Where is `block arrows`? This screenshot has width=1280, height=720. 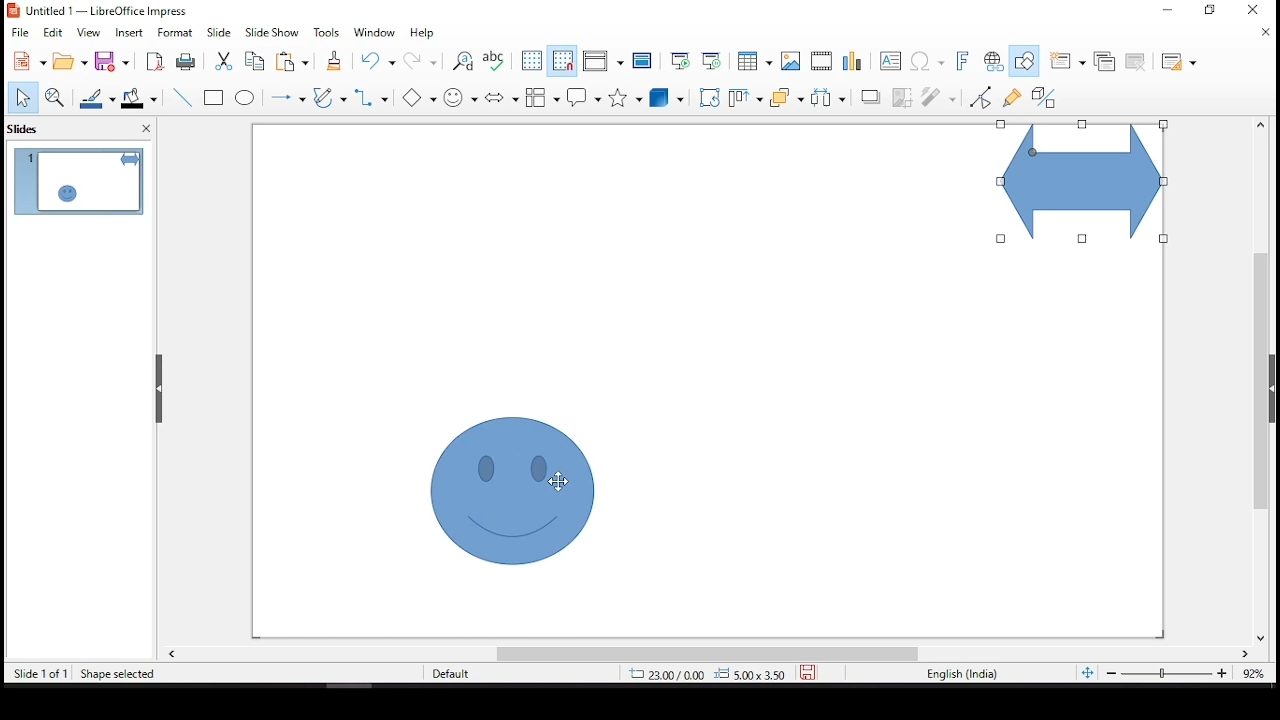 block arrows is located at coordinates (502, 99).